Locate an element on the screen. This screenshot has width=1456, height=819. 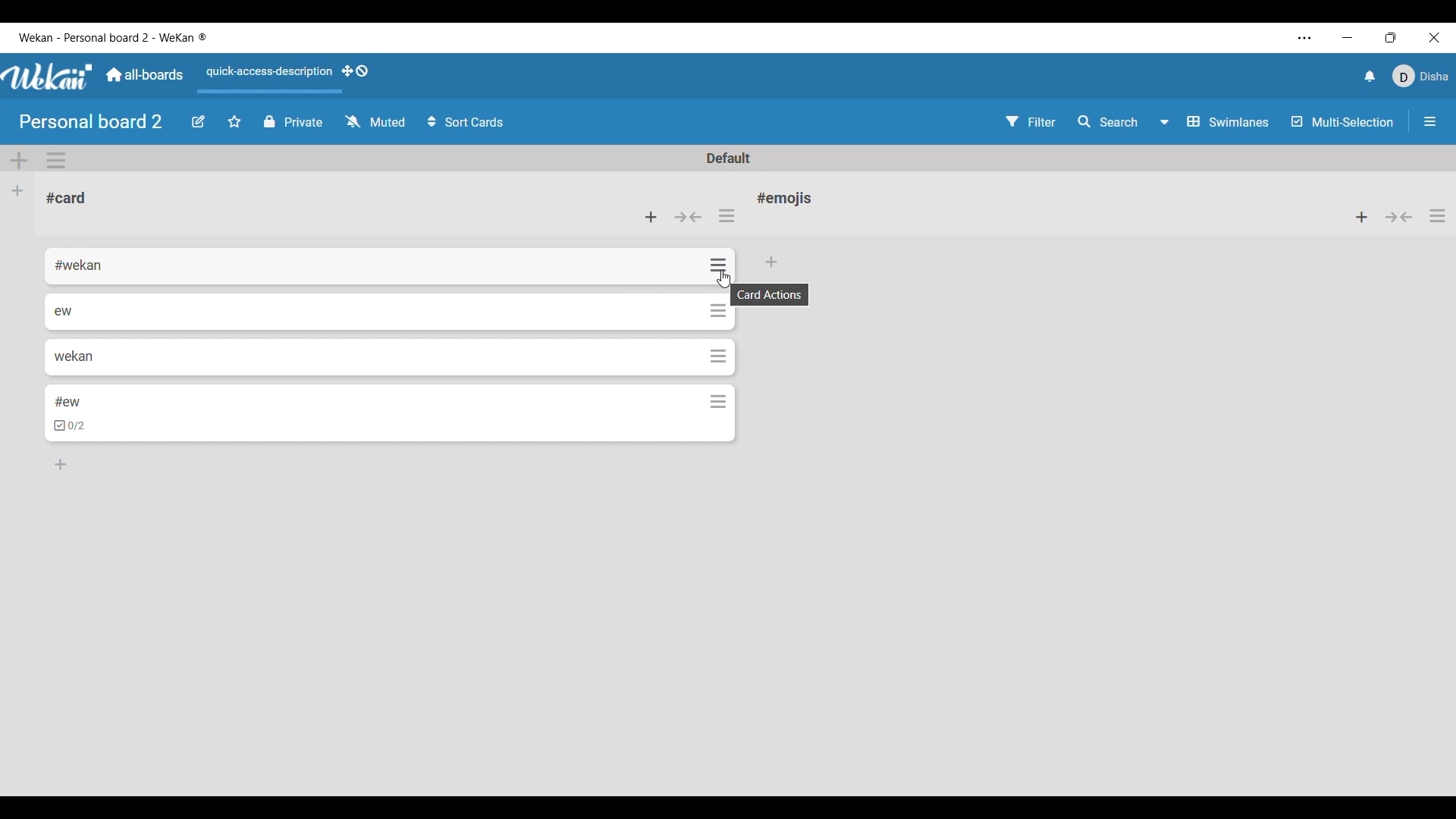
Close interface  is located at coordinates (1435, 37).